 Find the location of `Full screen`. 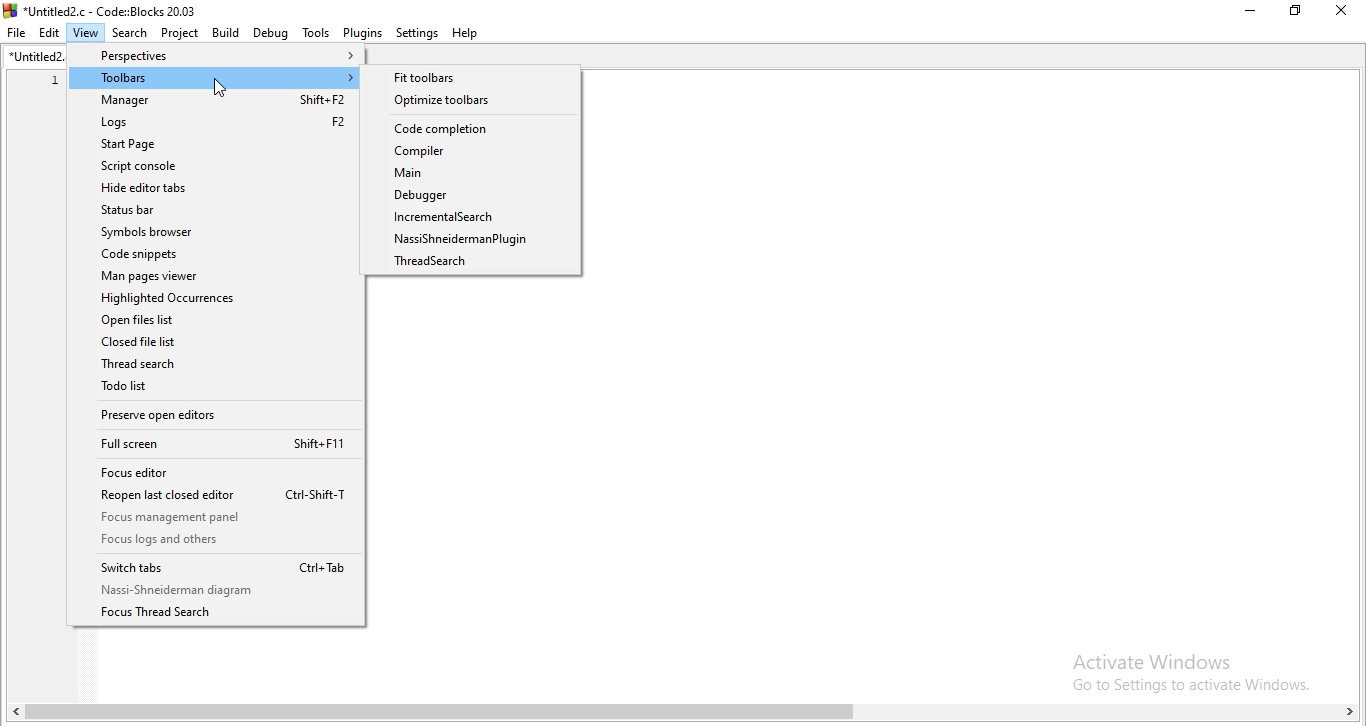

Full screen is located at coordinates (218, 444).